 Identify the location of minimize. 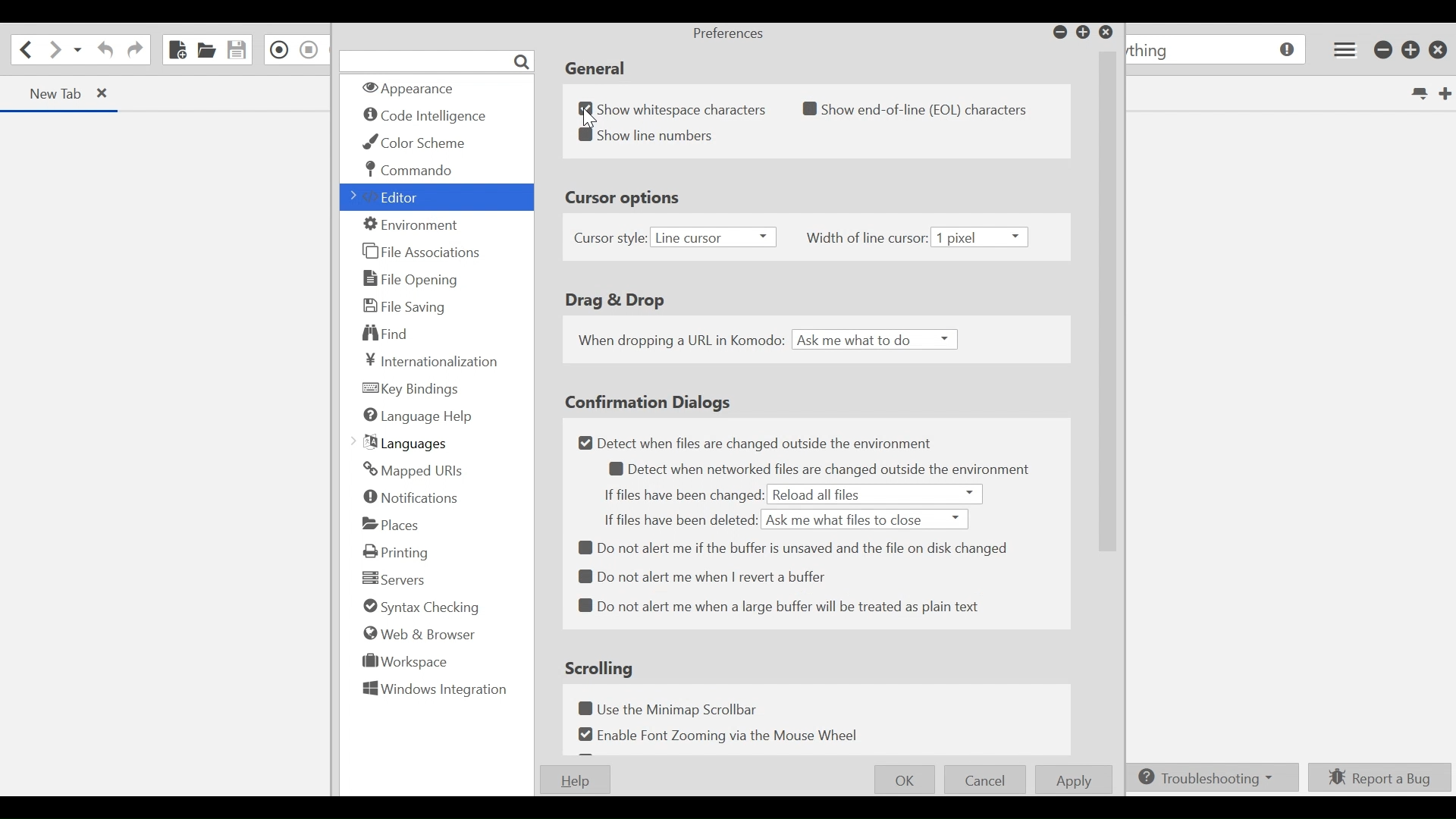
(1058, 31).